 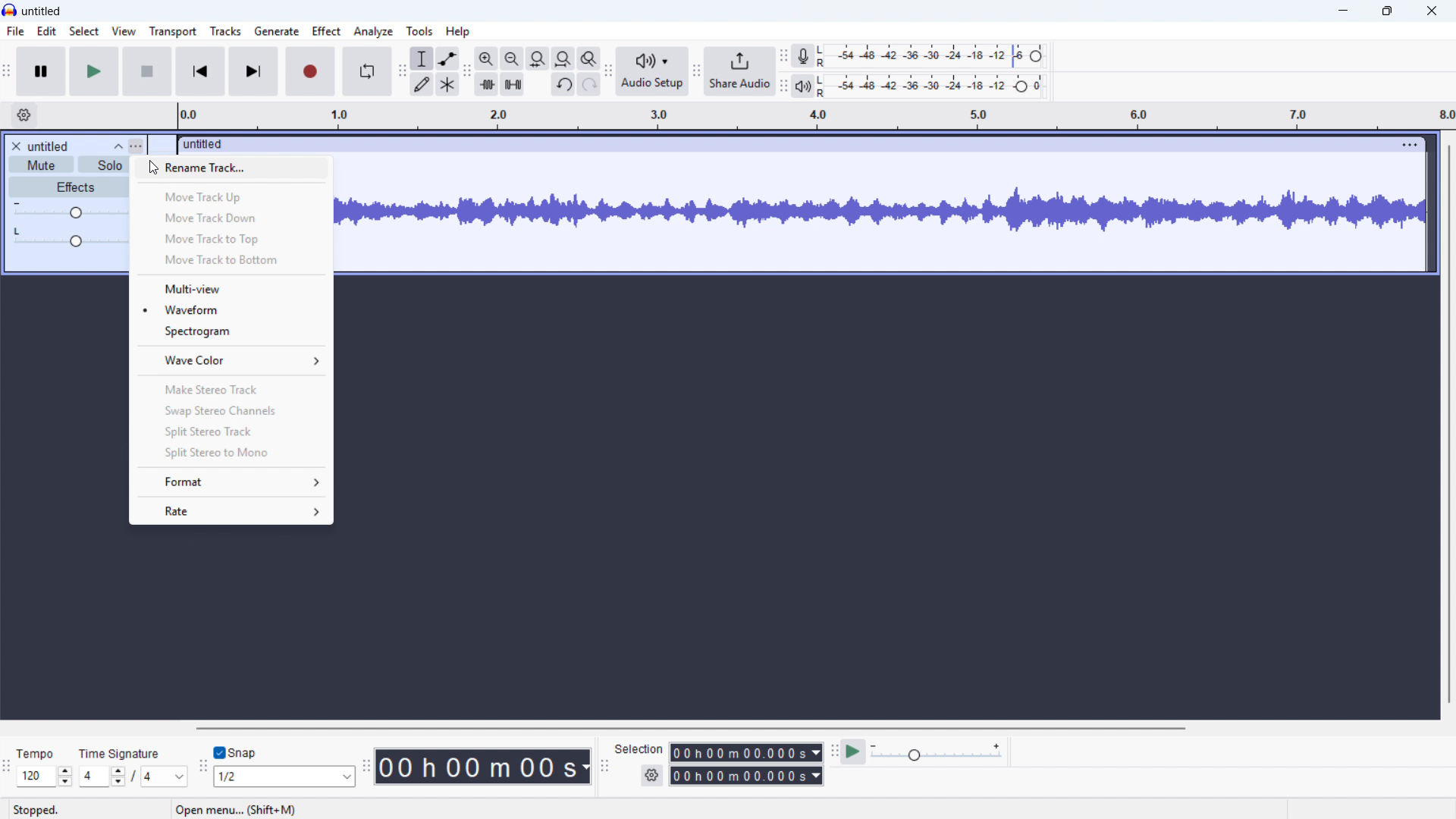 What do you see at coordinates (231, 261) in the screenshot?
I see `Move track to bottom ` at bounding box center [231, 261].